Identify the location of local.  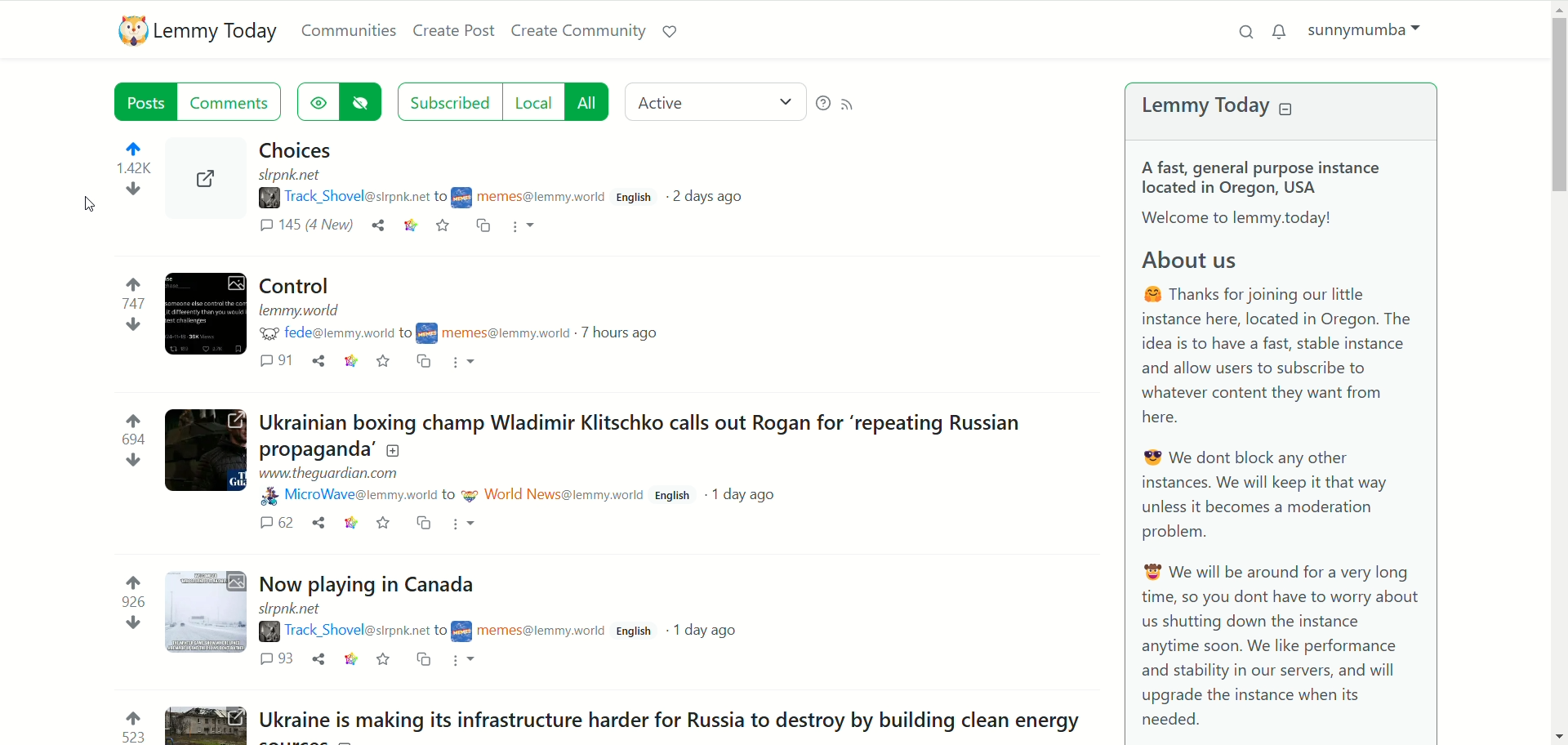
(536, 103).